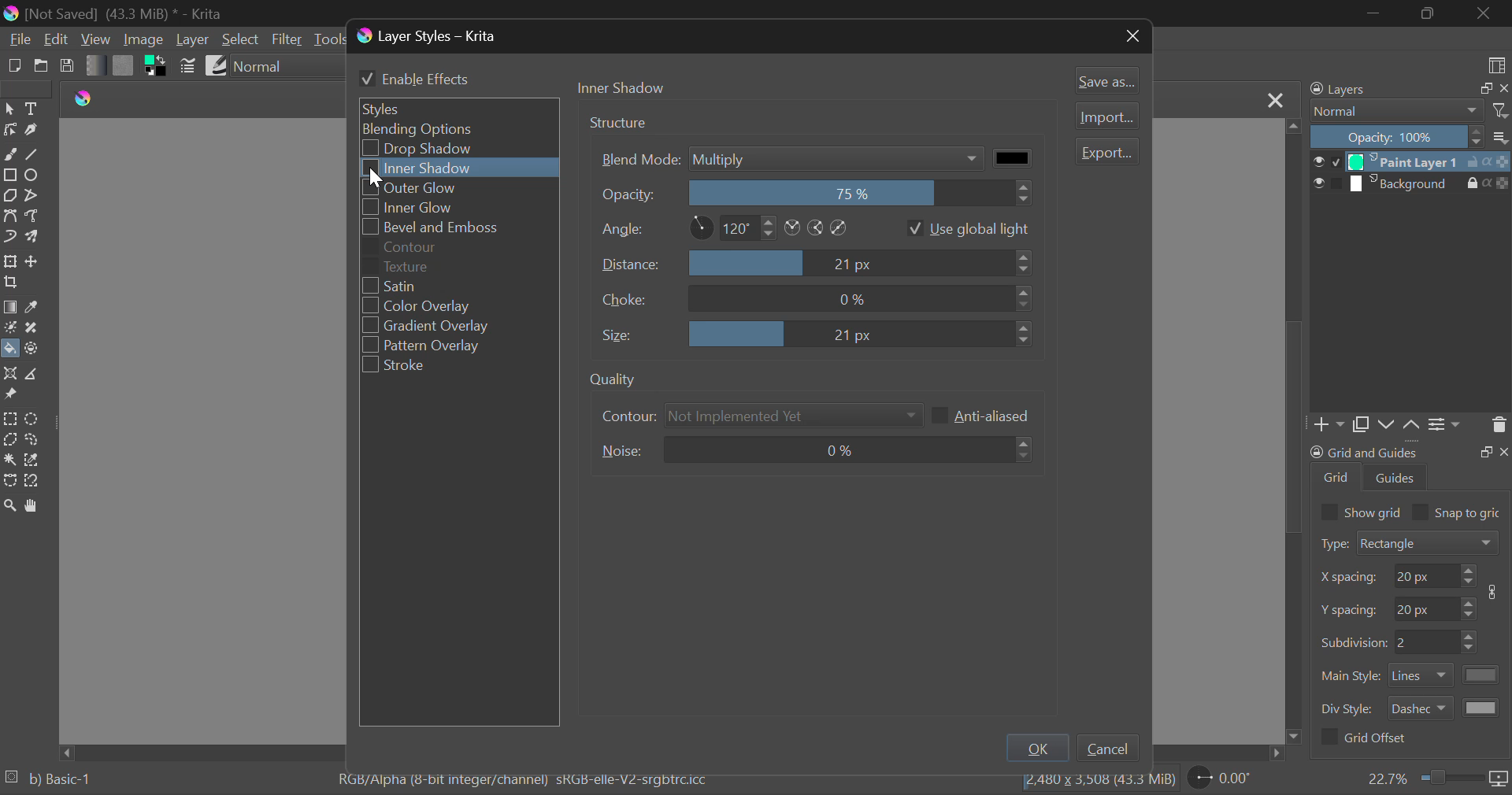 The width and height of the screenshot is (1512, 795). Describe the element at coordinates (9, 419) in the screenshot. I see `Rectangular Selection` at that location.